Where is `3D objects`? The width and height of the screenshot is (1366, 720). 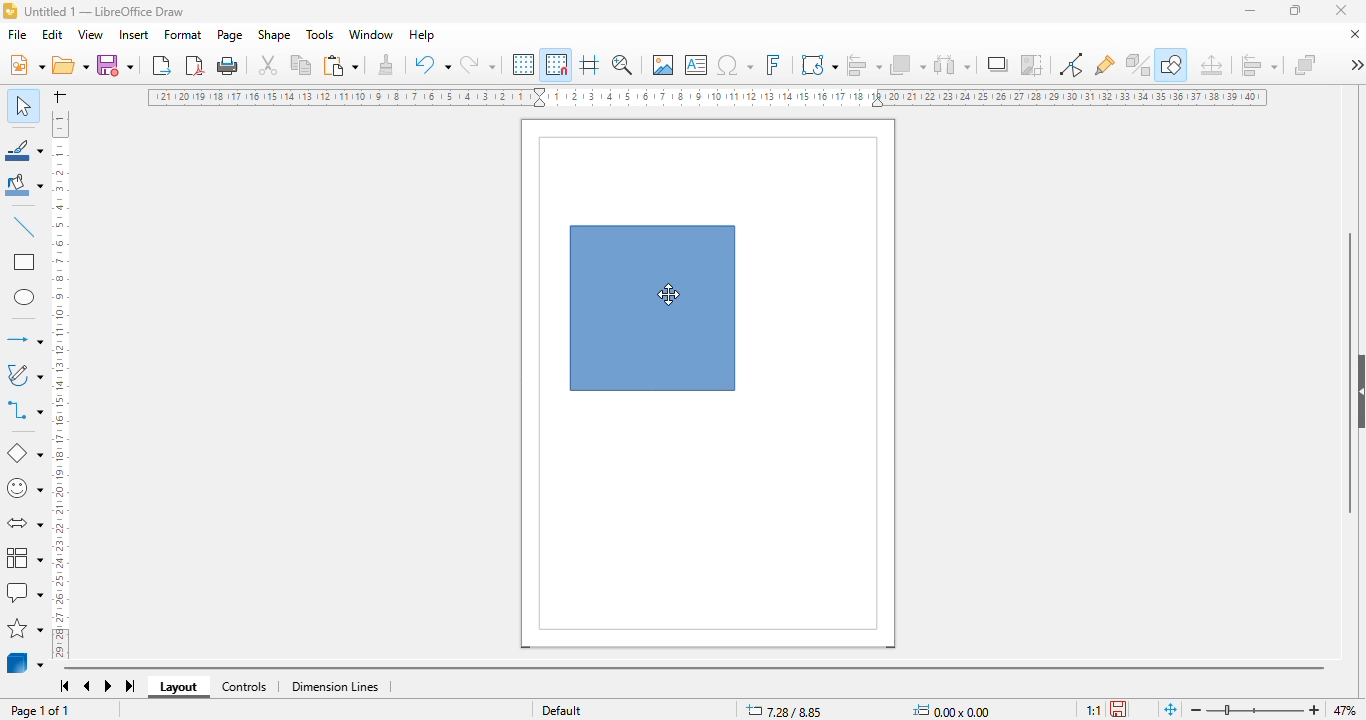
3D objects is located at coordinates (26, 662).